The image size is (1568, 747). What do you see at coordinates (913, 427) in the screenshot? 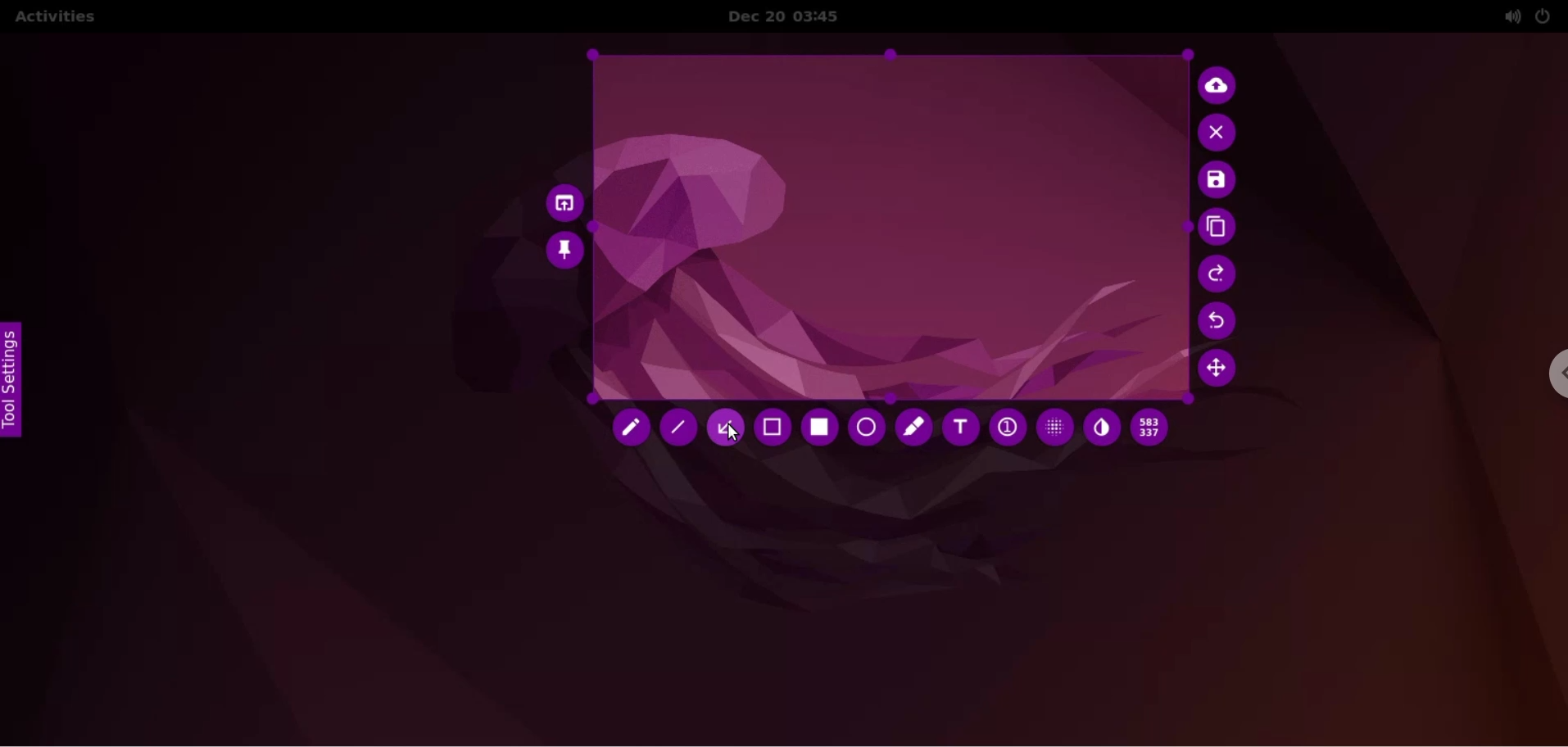
I see `marker` at bounding box center [913, 427].